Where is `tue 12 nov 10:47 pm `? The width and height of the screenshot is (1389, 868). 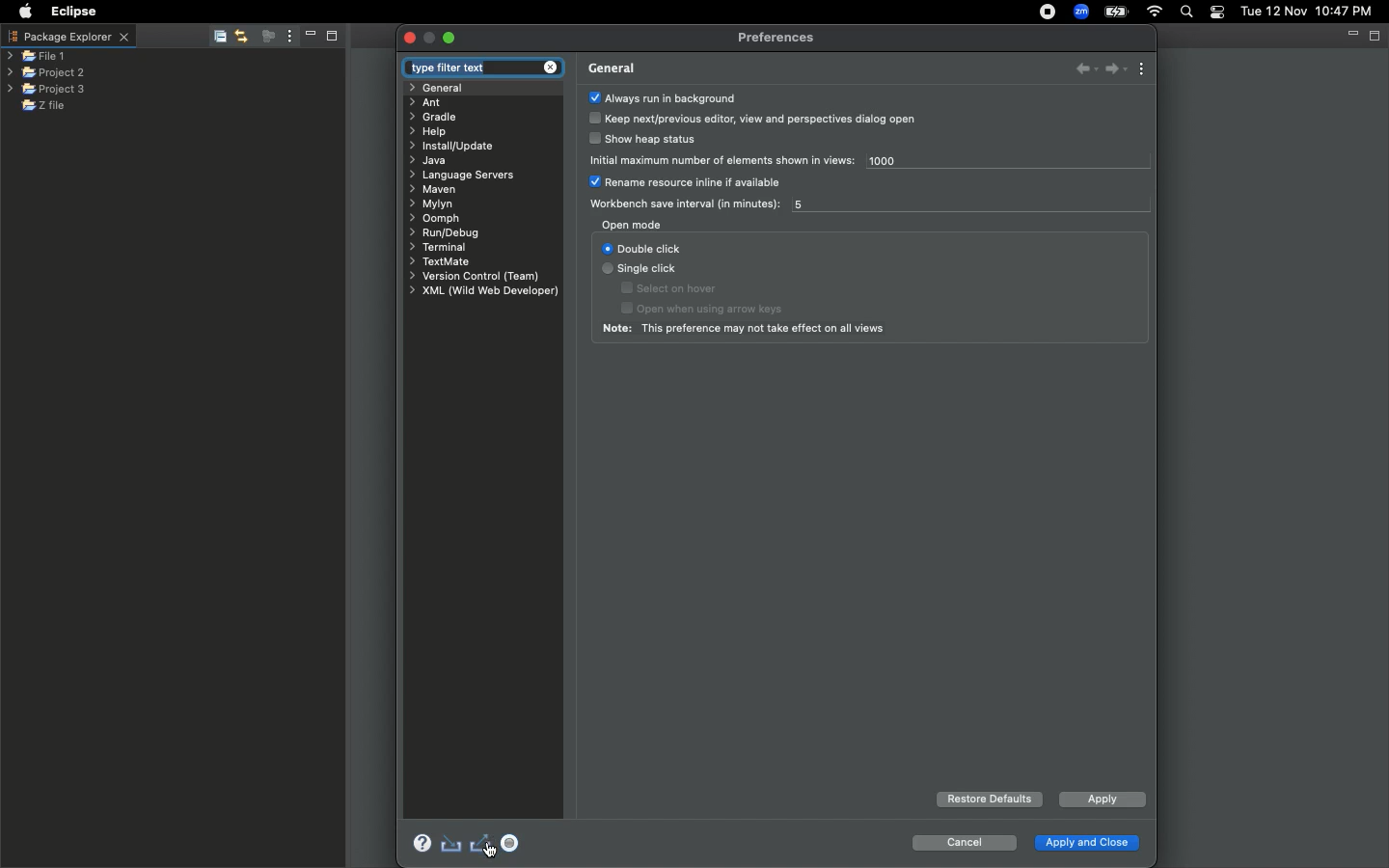 tue 12 nov 10:47 pm  is located at coordinates (1305, 10).